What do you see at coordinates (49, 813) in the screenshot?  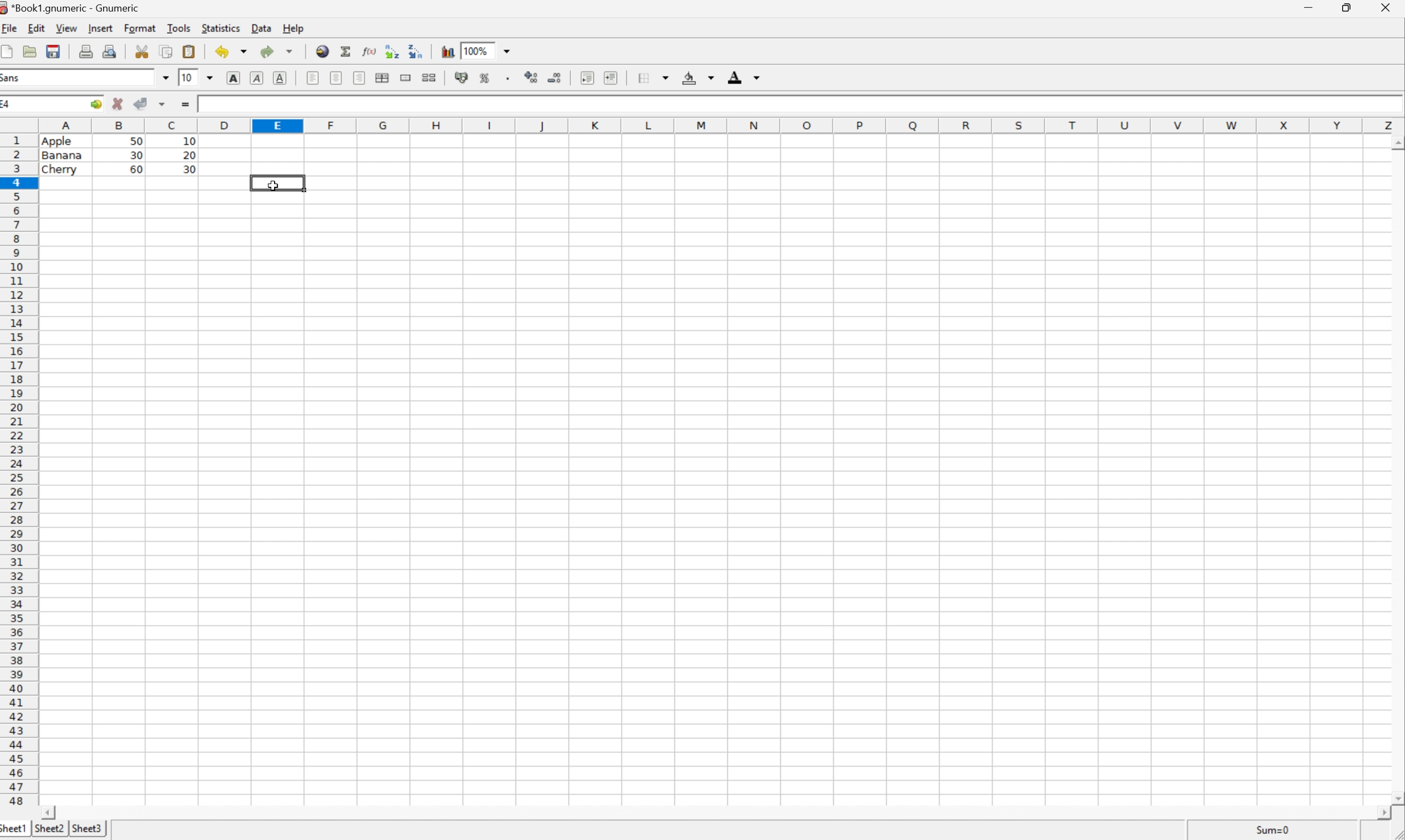 I see `scroll left` at bounding box center [49, 813].